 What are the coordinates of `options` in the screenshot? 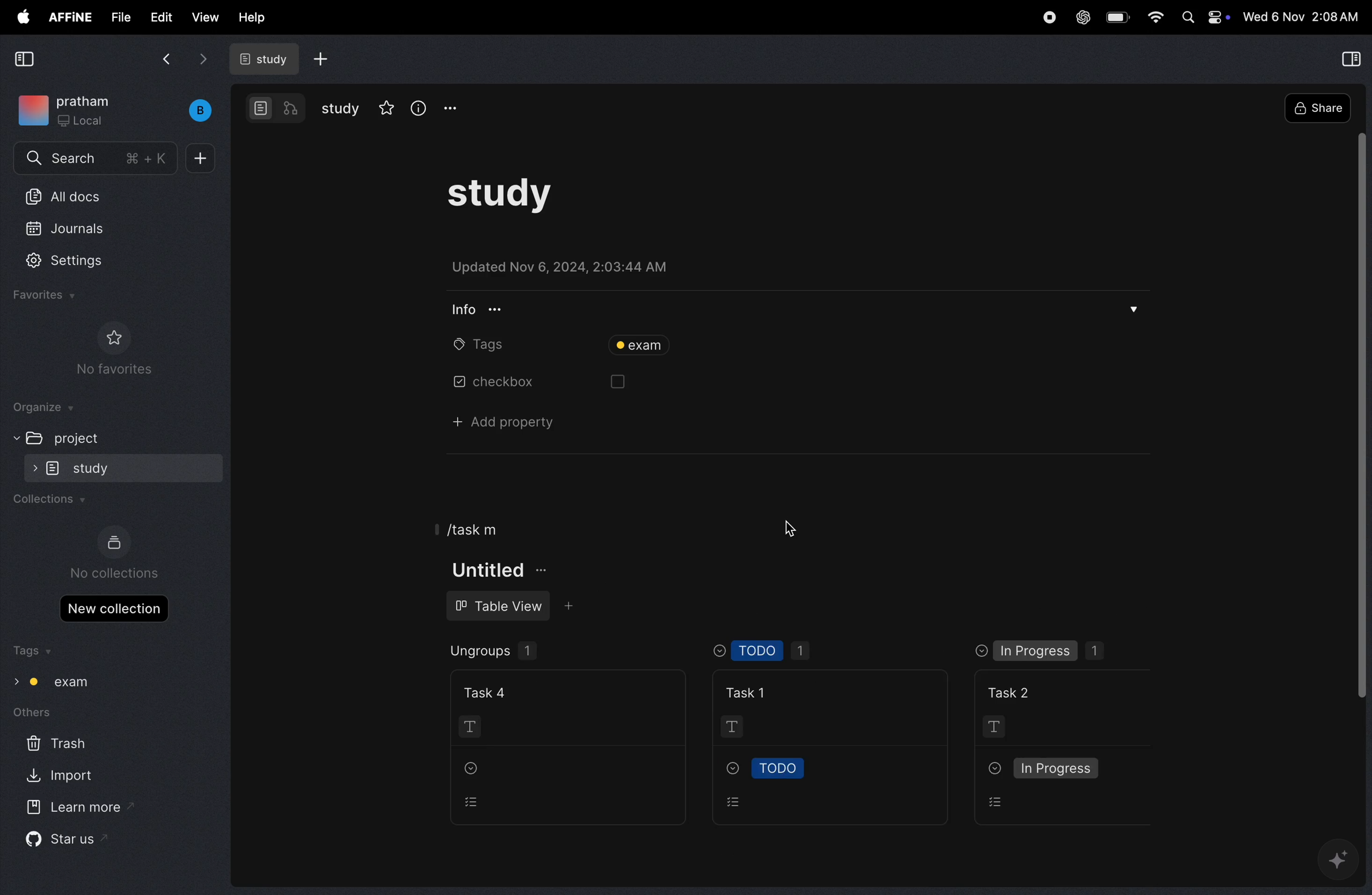 It's located at (736, 804).